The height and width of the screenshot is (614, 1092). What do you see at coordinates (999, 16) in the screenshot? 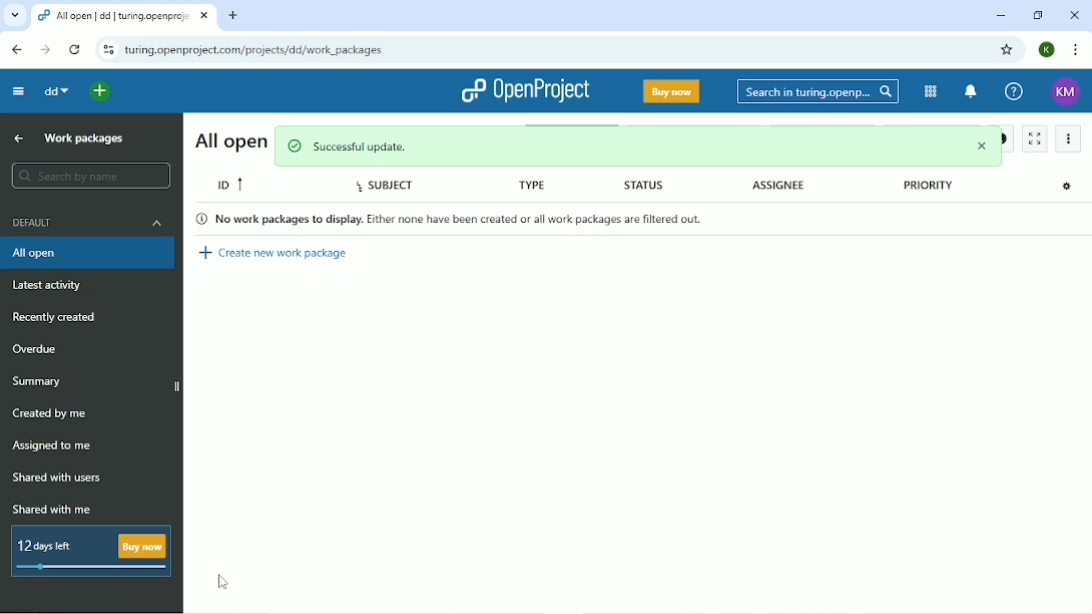
I see `Minimize` at bounding box center [999, 16].